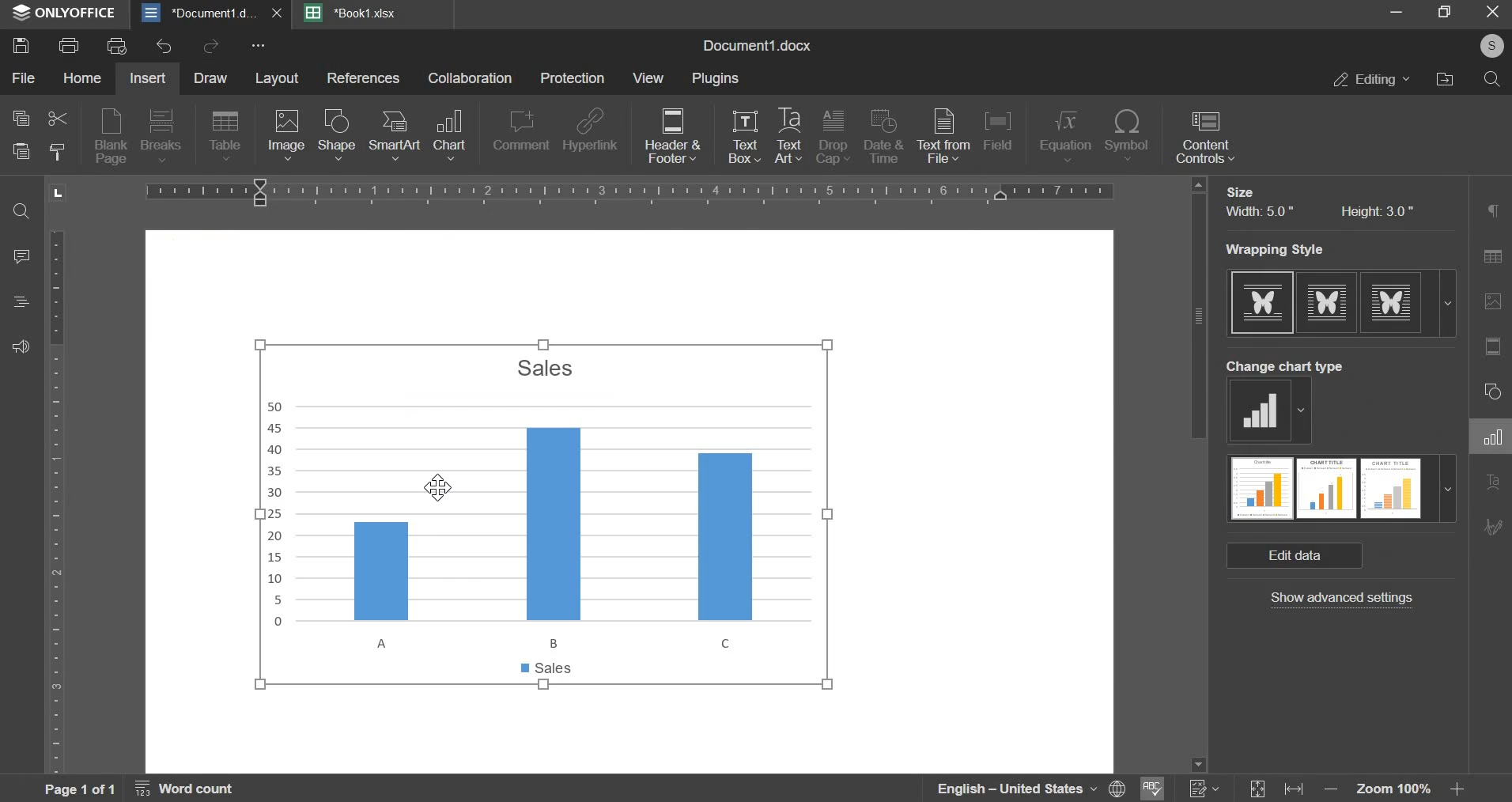 The height and width of the screenshot is (802, 1512). What do you see at coordinates (592, 134) in the screenshot?
I see `hyperlink` at bounding box center [592, 134].